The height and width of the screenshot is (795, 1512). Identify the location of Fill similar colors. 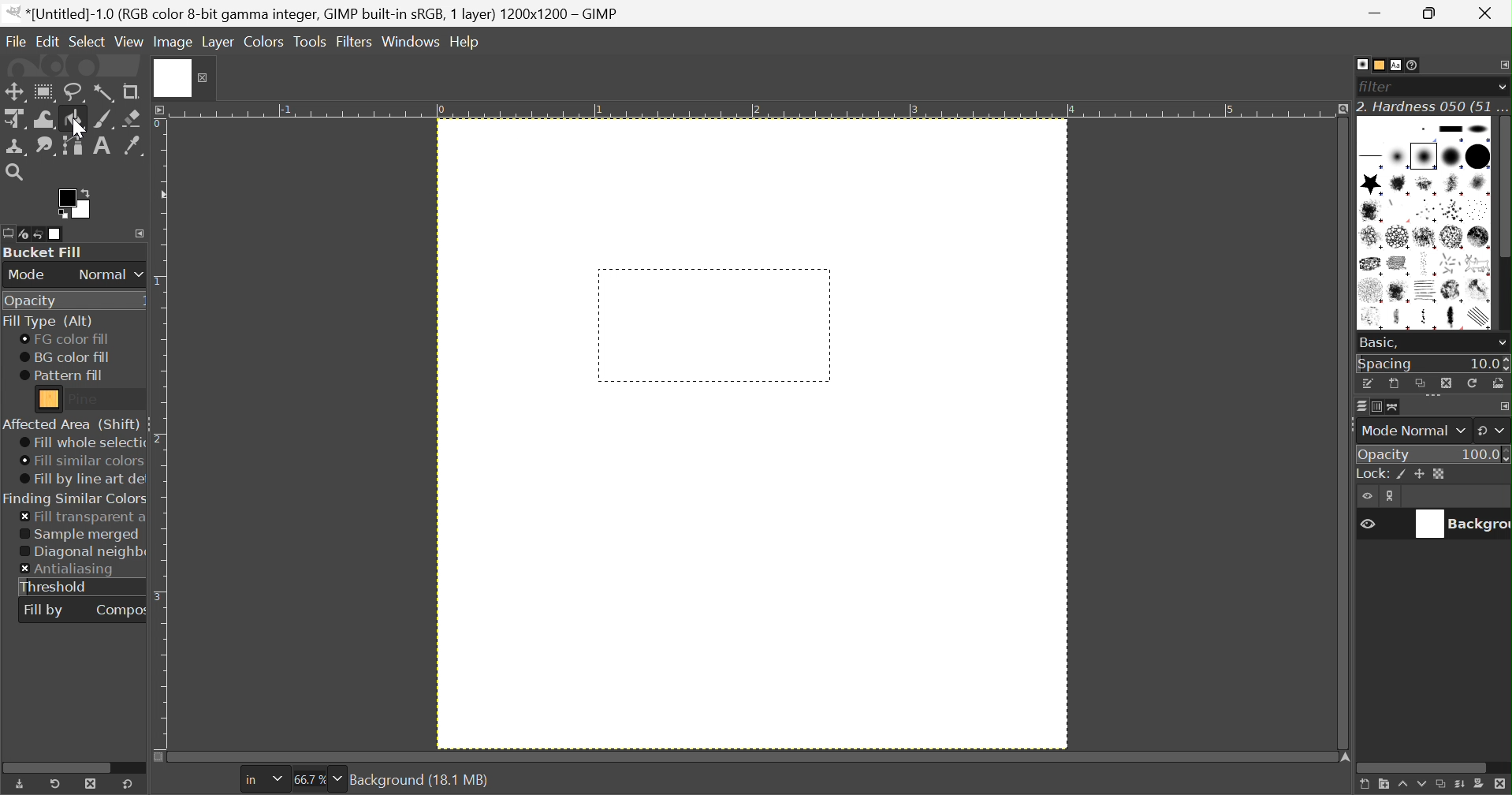
(80, 461).